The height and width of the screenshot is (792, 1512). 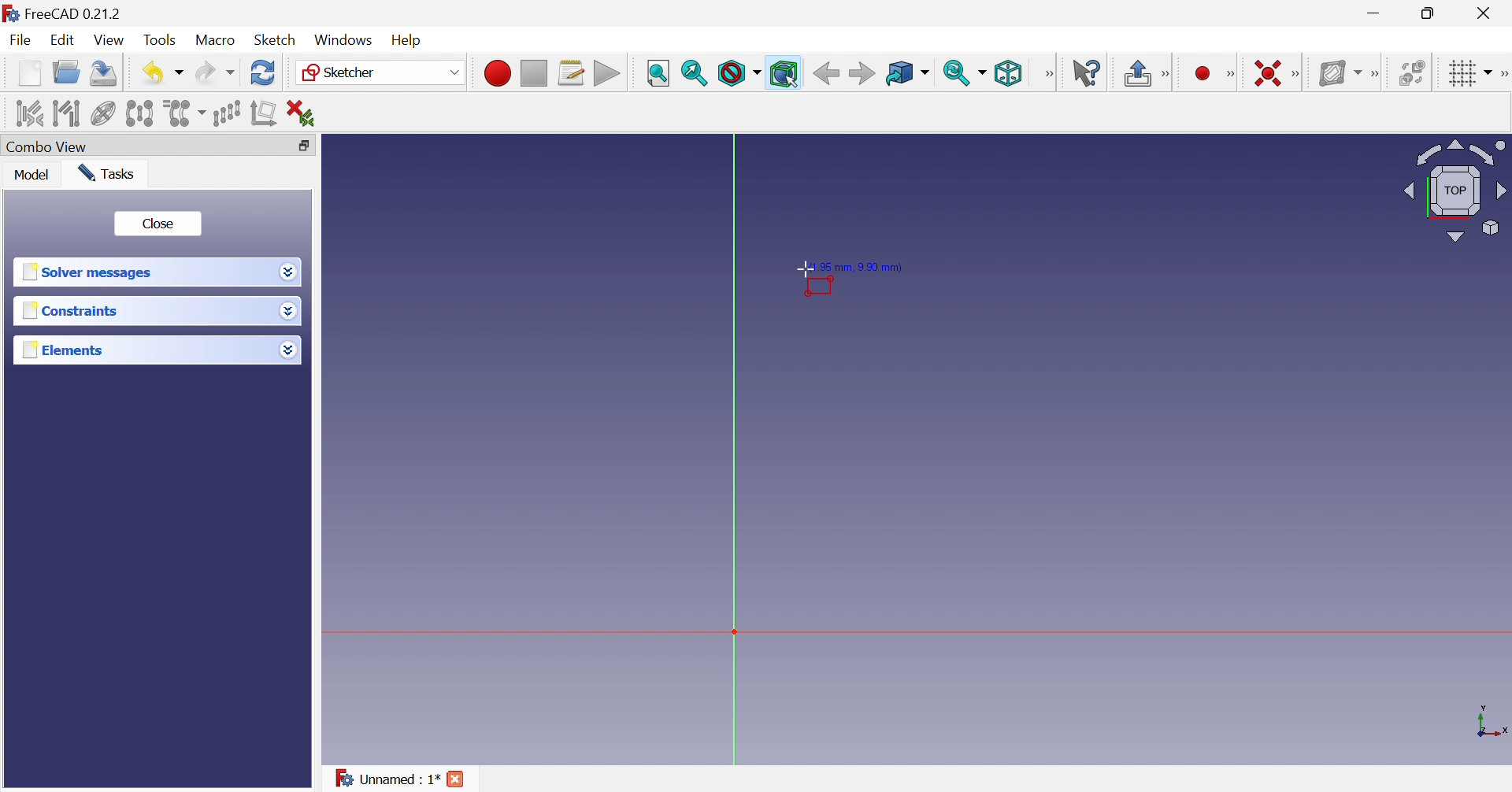 I want to click on Sketcher edit mode, so click(x=1167, y=73).